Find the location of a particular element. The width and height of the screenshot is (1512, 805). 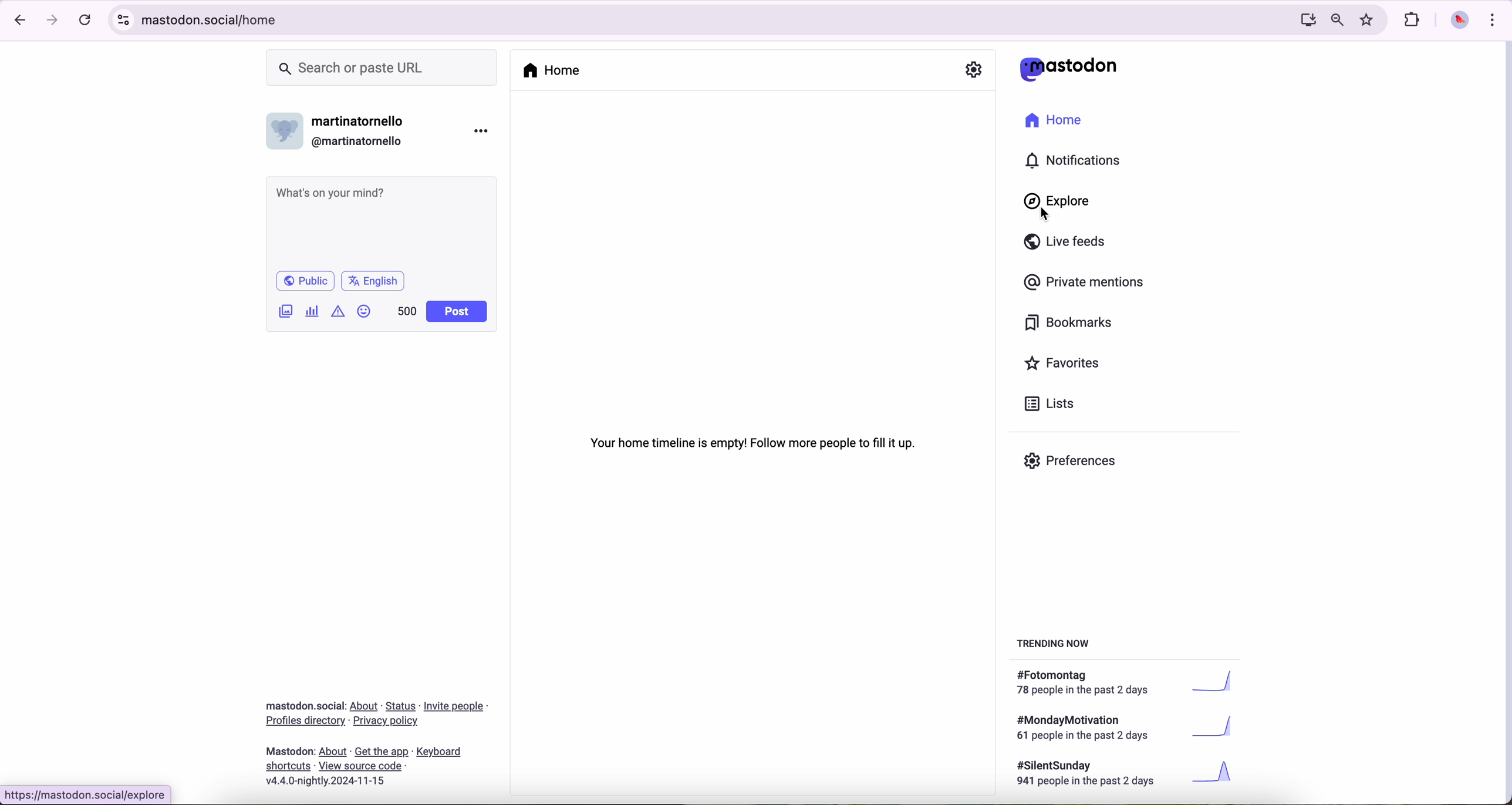

your home is empty is located at coordinates (755, 442).